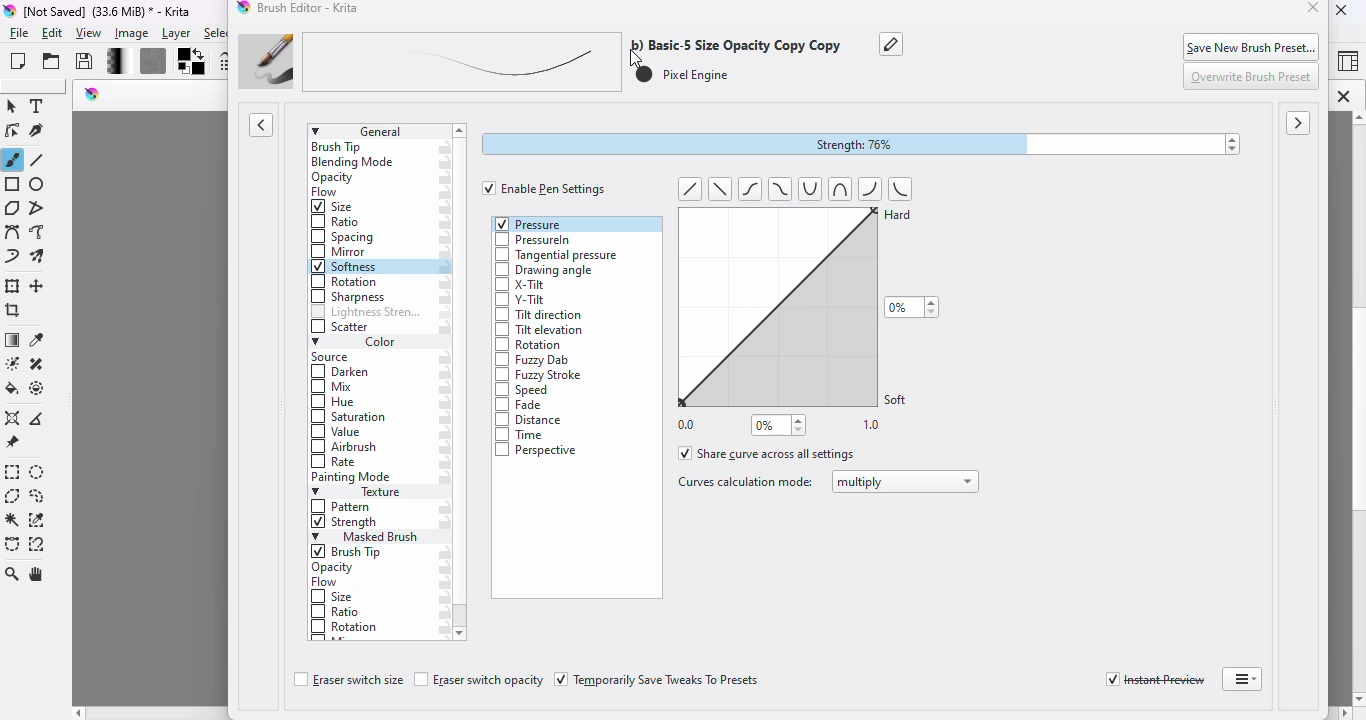 This screenshot has height=720, width=1366. What do you see at coordinates (13, 341) in the screenshot?
I see `draw a gradient` at bounding box center [13, 341].